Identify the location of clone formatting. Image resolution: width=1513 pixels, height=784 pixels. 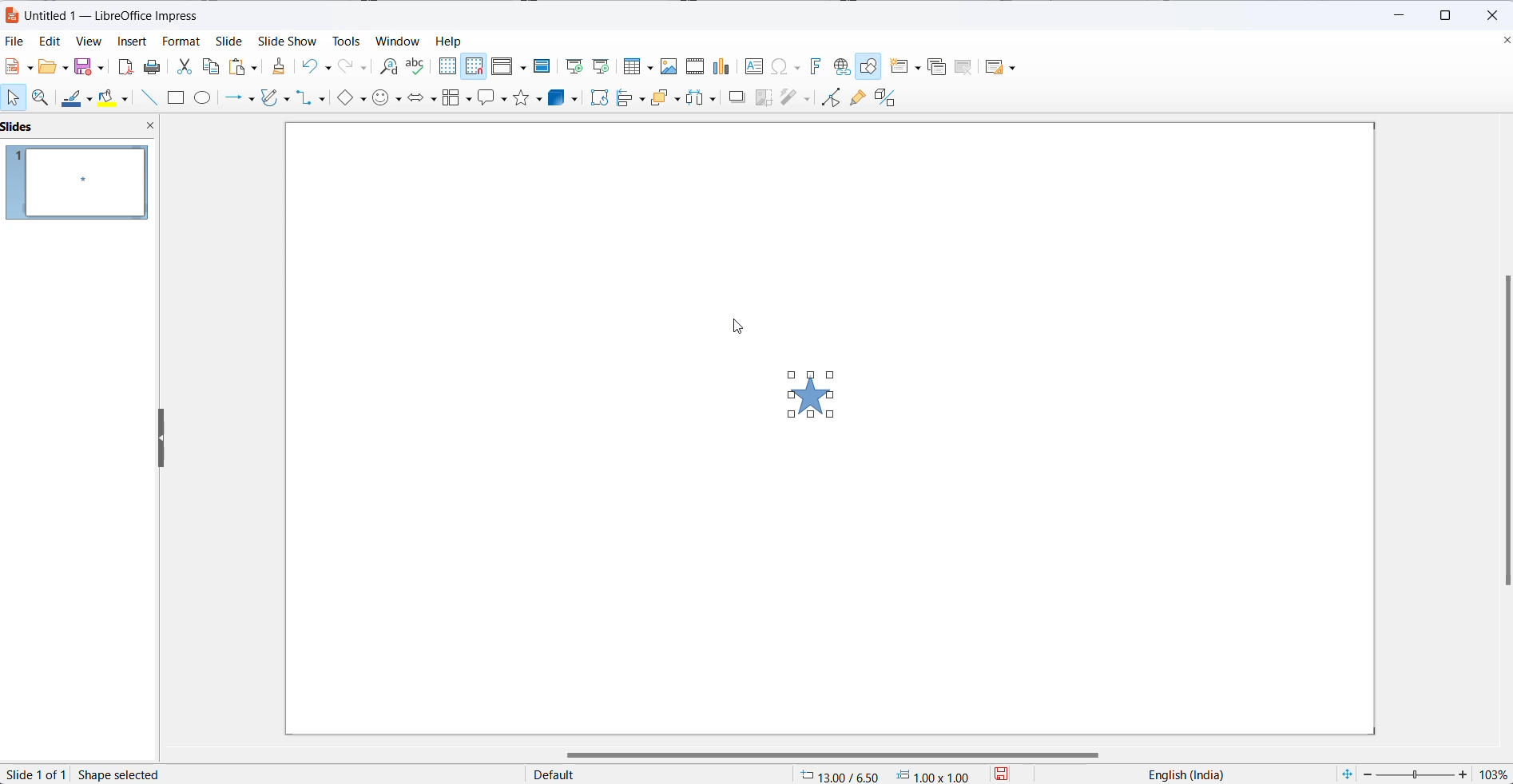
(280, 66).